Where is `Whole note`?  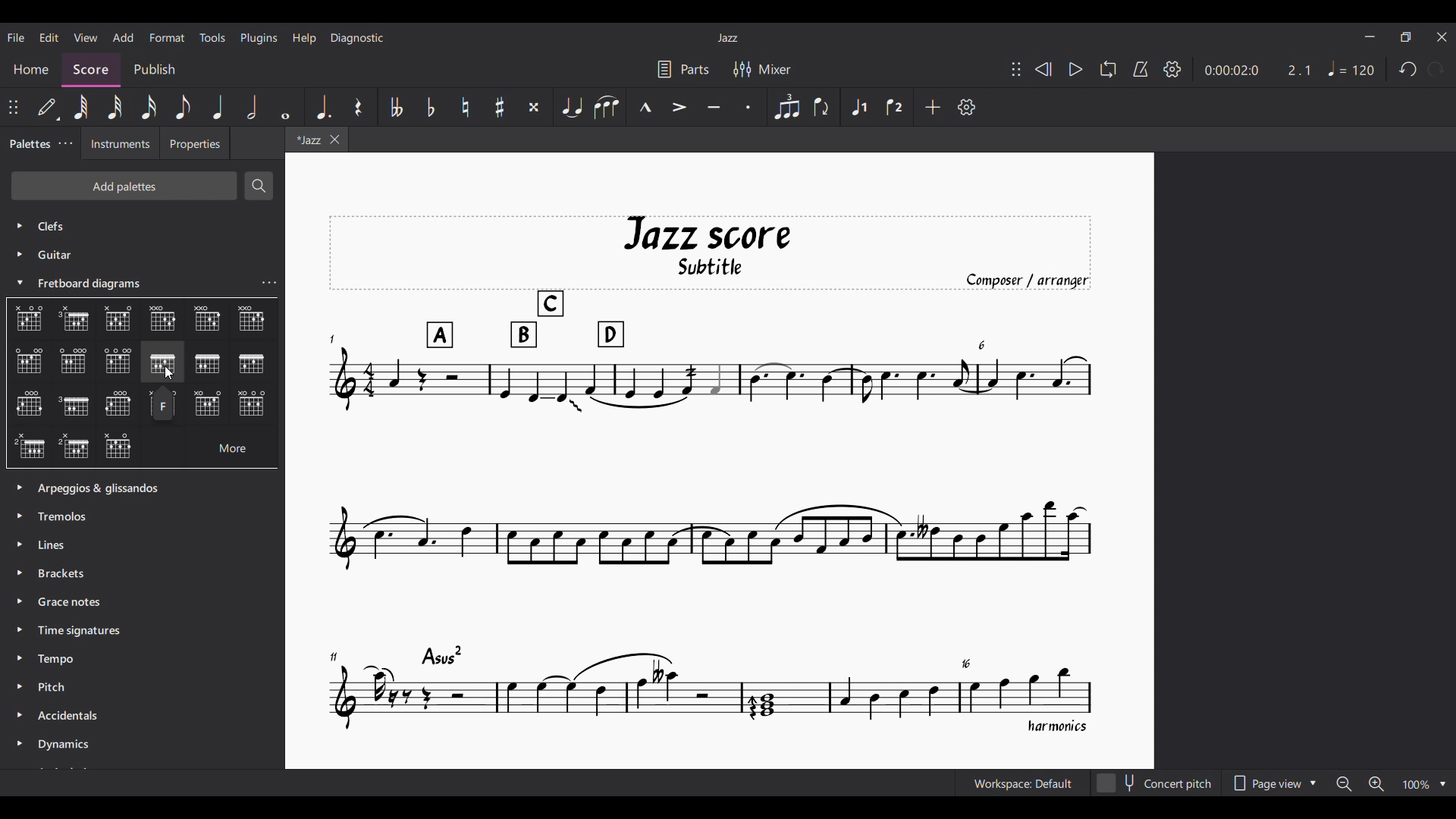 Whole note is located at coordinates (288, 108).